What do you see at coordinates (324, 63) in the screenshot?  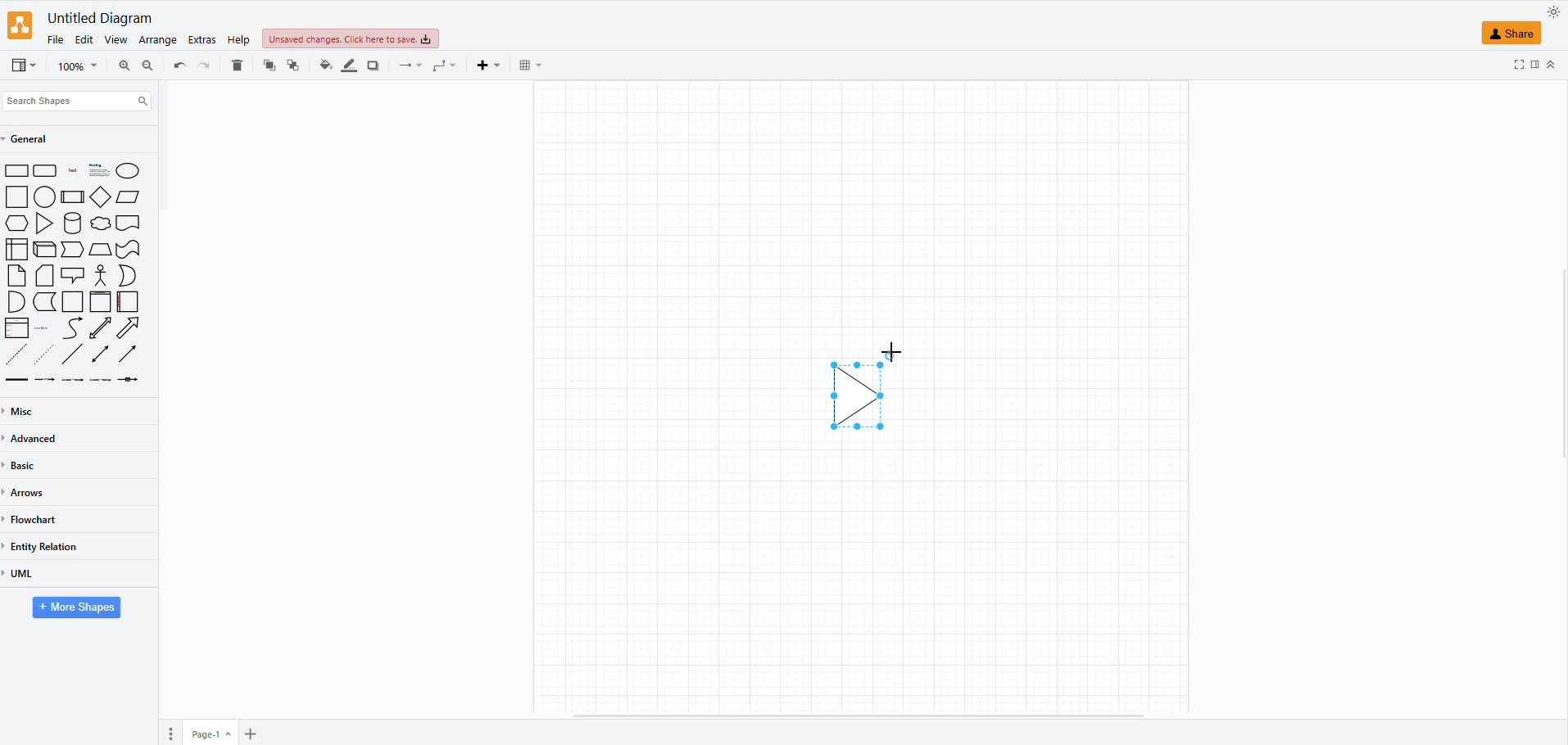 I see `fill color` at bounding box center [324, 63].